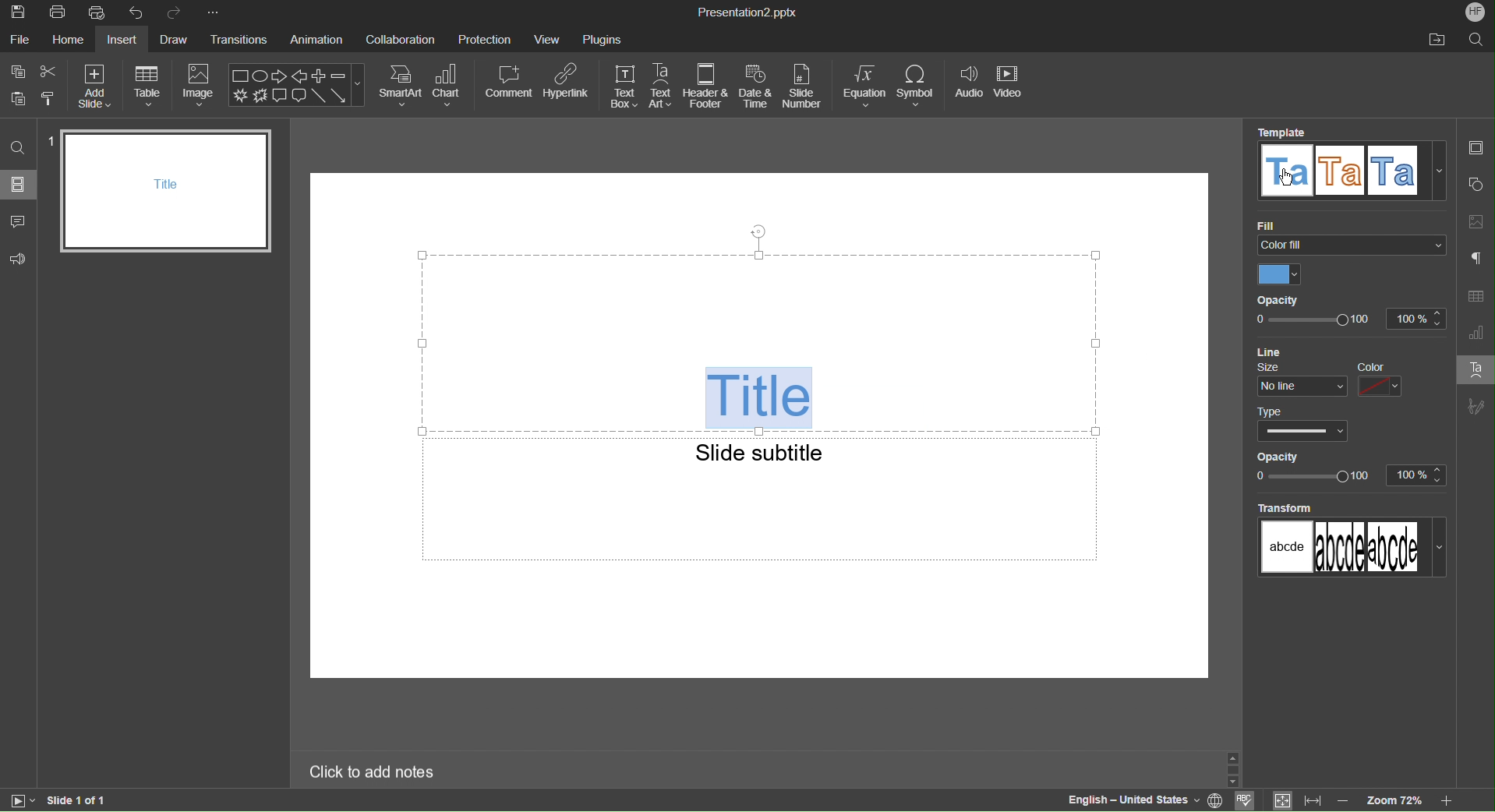 This screenshot has height=812, width=1495. I want to click on Paragraph Settings, so click(1476, 259).